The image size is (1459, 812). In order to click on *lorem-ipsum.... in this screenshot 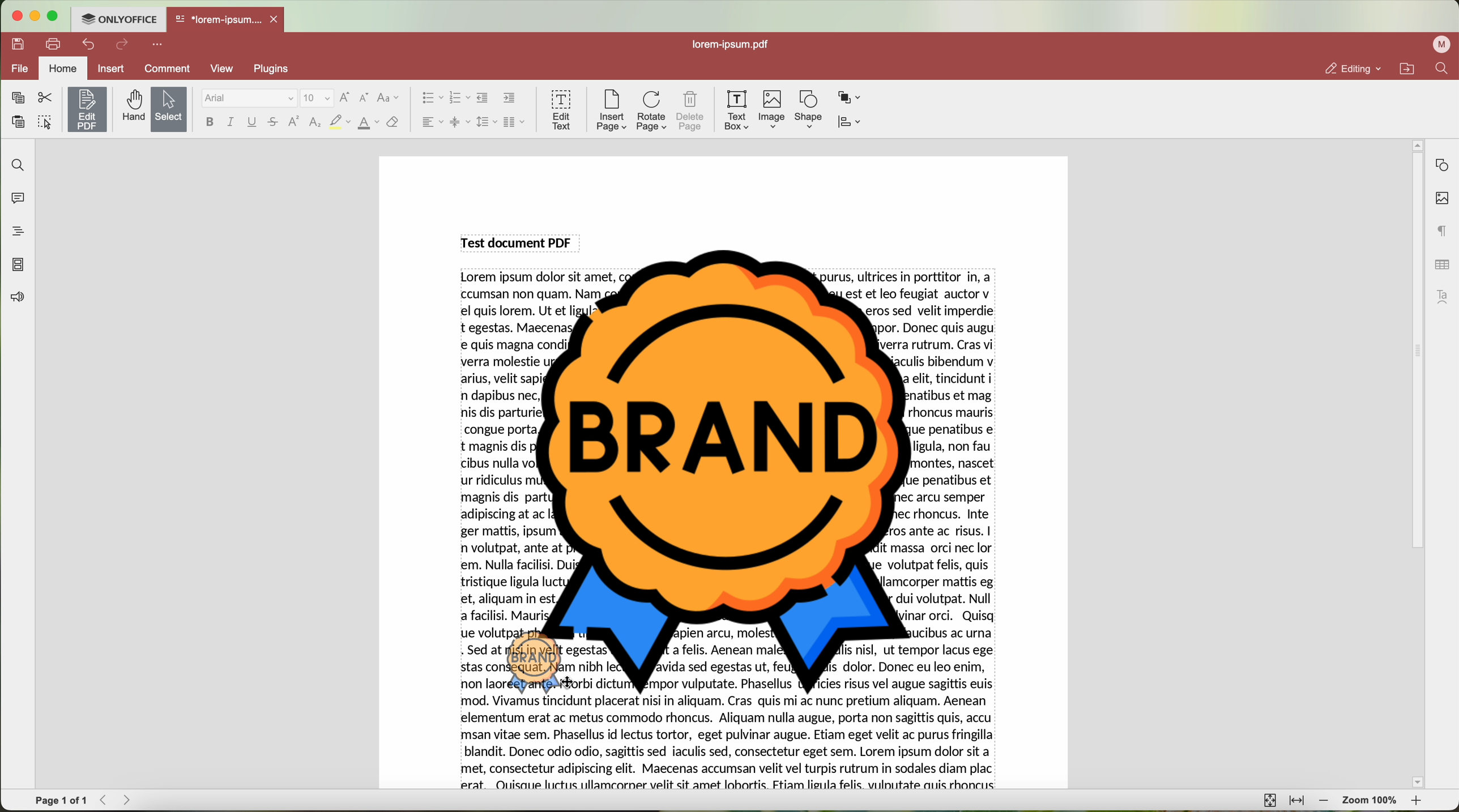, I will do `click(217, 17)`.